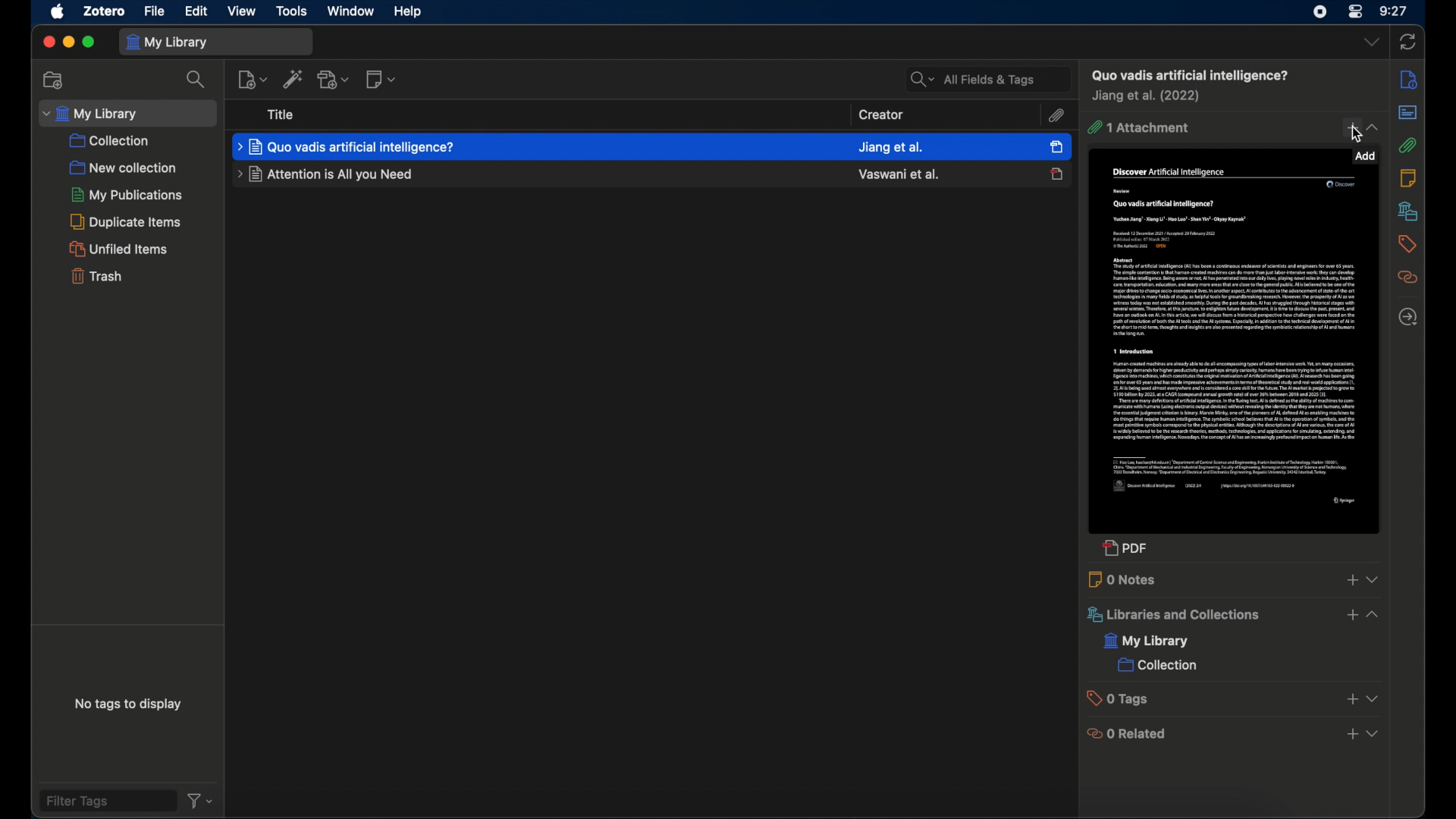  What do you see at coordinates (96, 278) in the screenshot?
I see `trash` at bounding box center [96, 278].